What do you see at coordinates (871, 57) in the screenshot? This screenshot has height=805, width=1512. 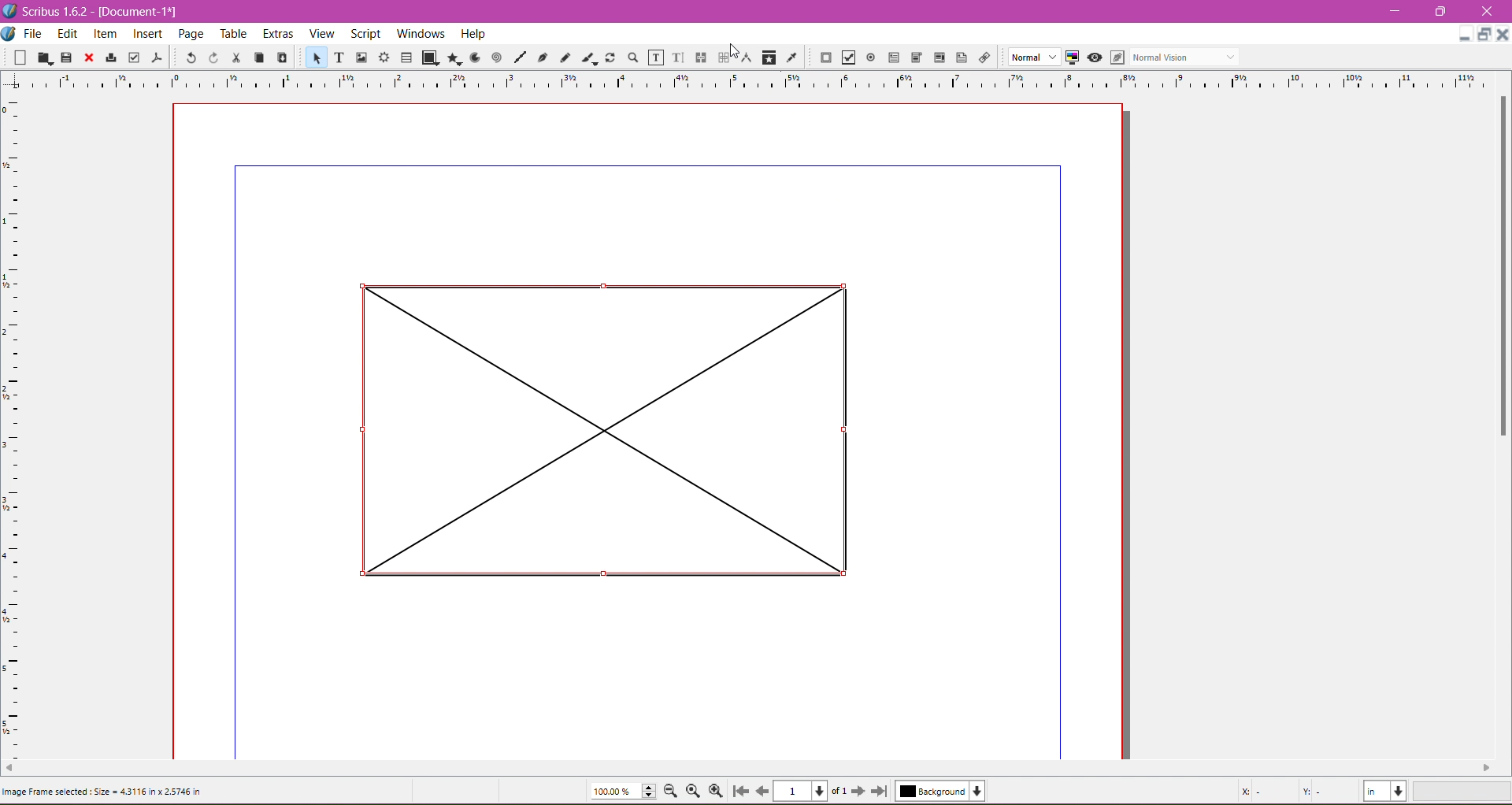 I see `PDF Radio Button` at bounding box center [871, 57].